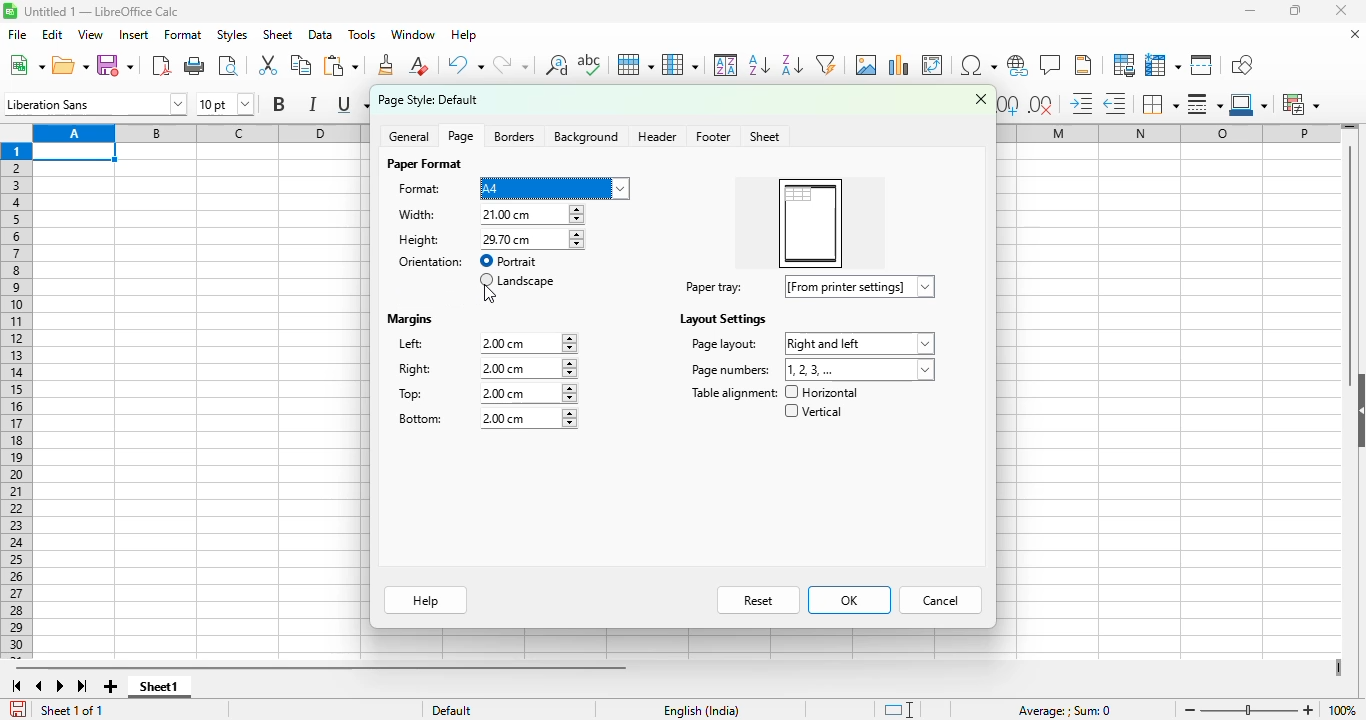 The width and height of the screenshot is (1366, 720). What do you see at coordinates (731, 370) in the screenshot?
I see `page numbers: ` at bounding box center [731, 370].